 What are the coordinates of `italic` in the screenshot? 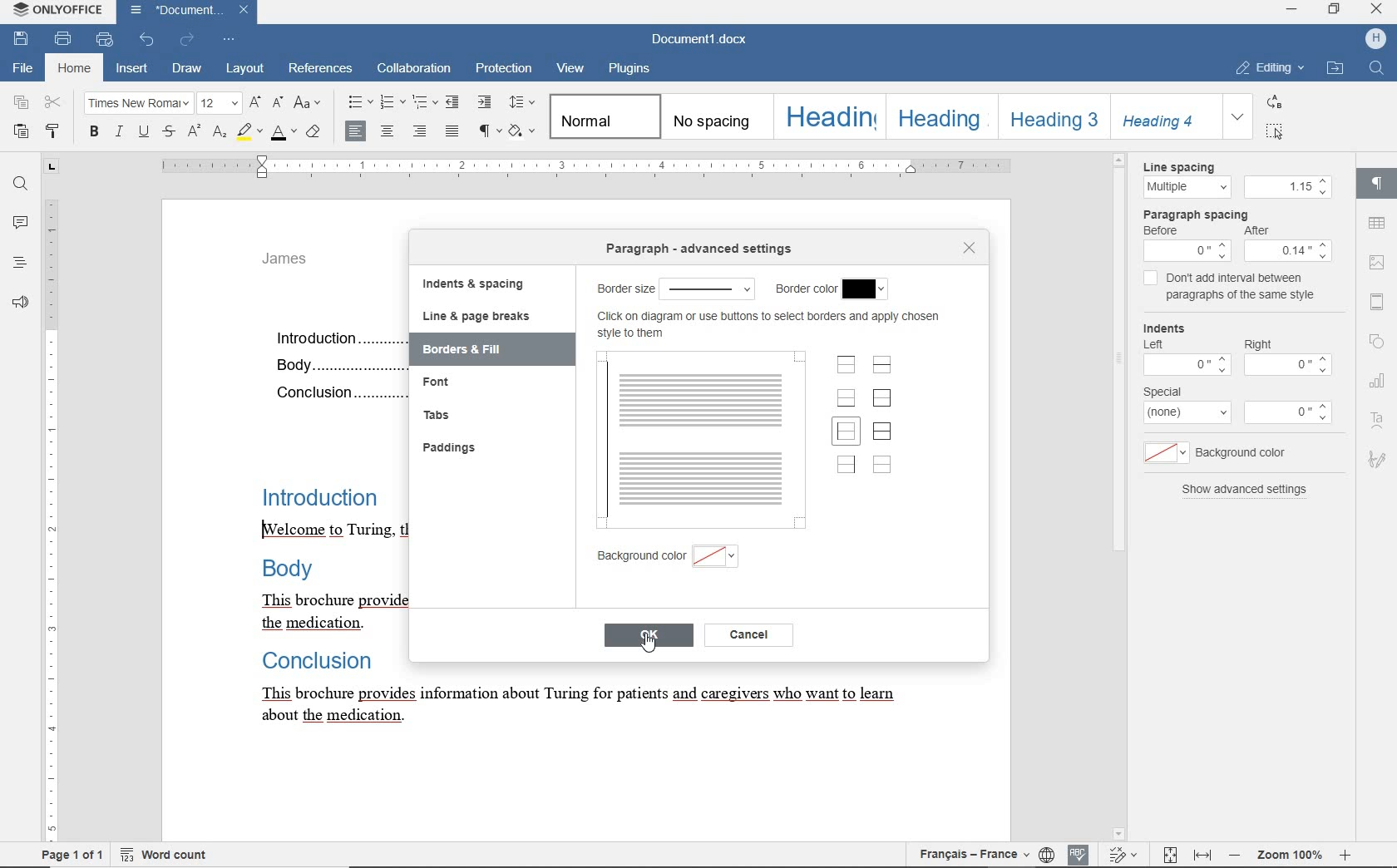 It's located at (119, 133).